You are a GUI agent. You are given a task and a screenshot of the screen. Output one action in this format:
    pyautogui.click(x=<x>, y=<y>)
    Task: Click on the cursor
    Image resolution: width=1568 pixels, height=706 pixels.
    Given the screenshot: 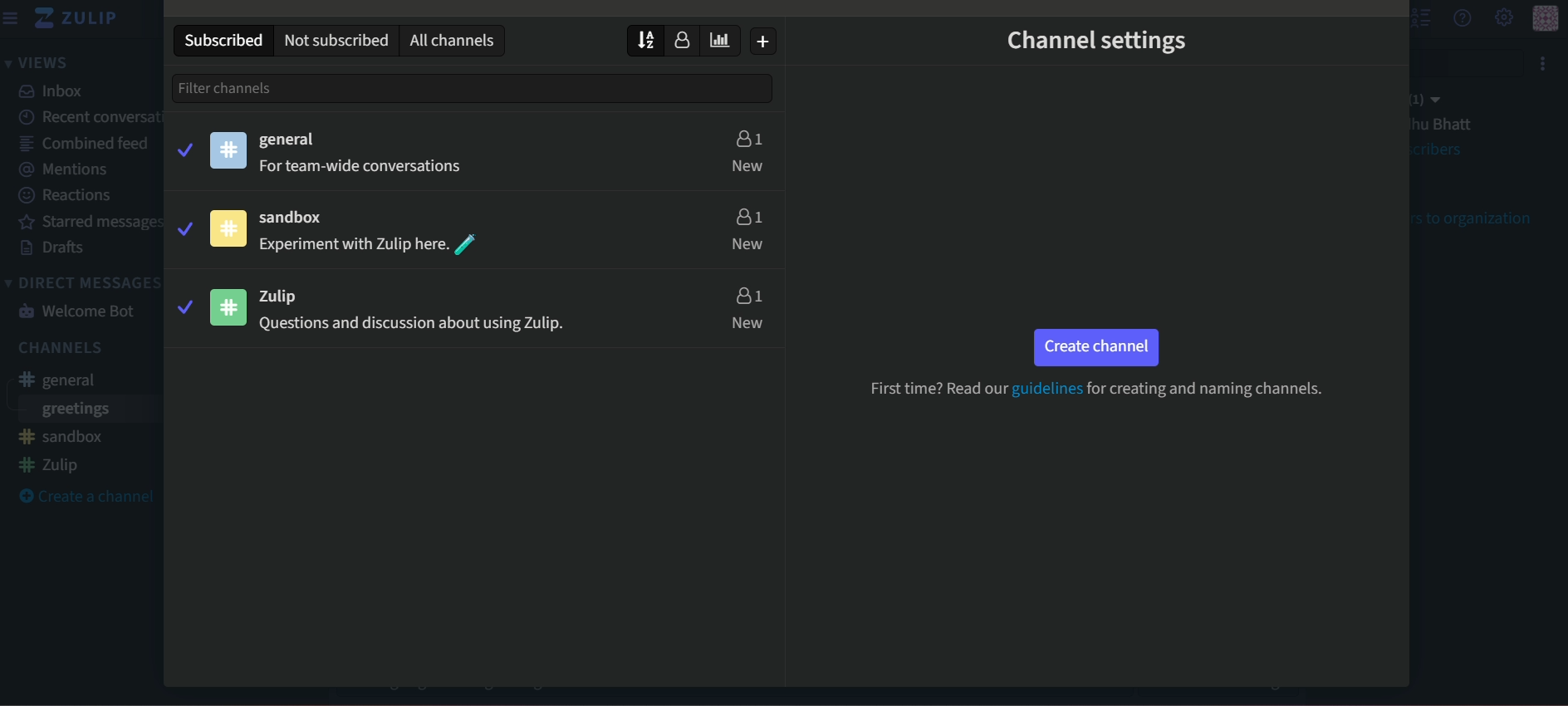 What is the action you would take?
    pyautogui.click(x=645, y=41)
    